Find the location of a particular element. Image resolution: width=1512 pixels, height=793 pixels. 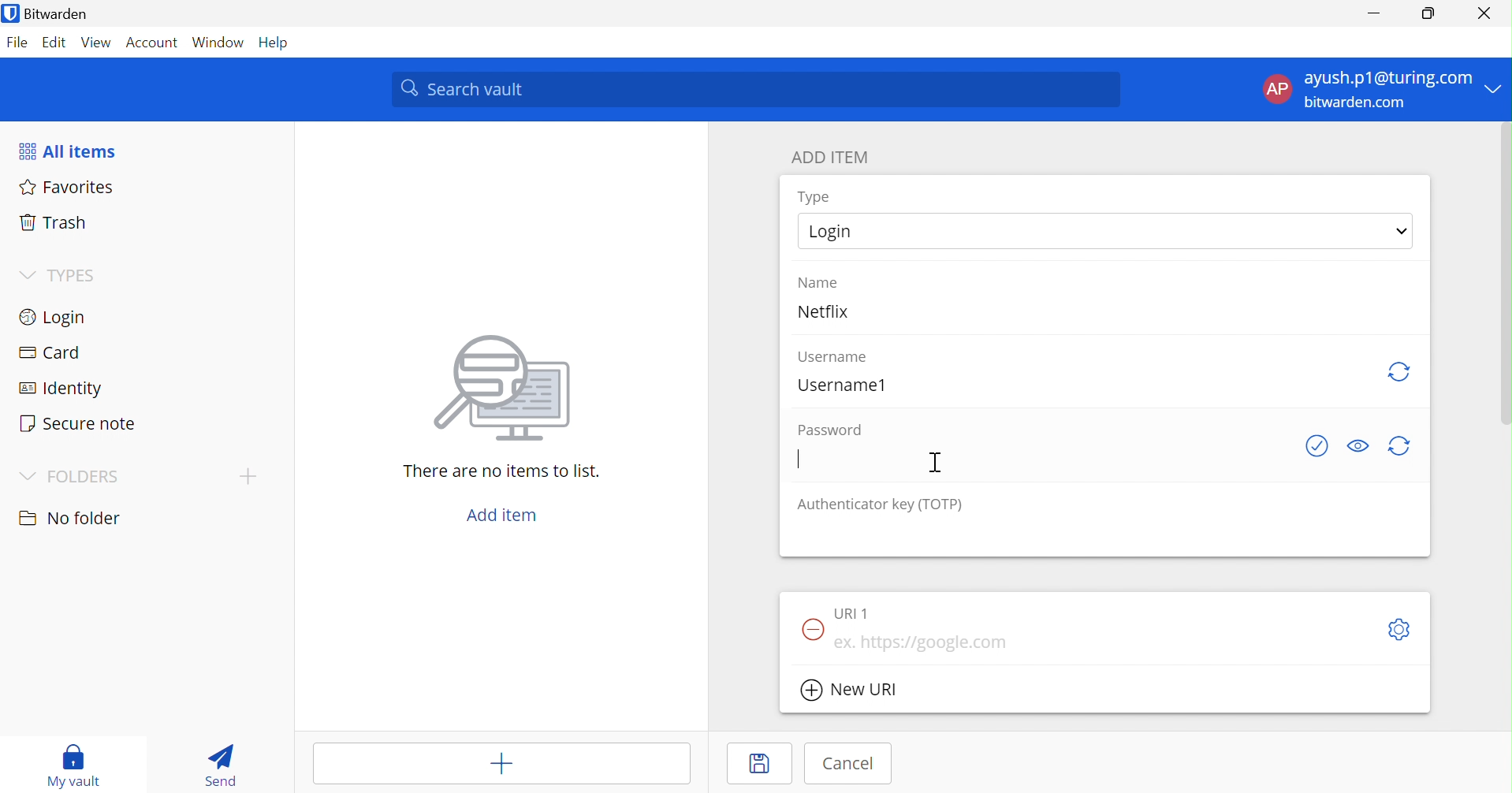

Restore down is located at coordinates (1431, 14).